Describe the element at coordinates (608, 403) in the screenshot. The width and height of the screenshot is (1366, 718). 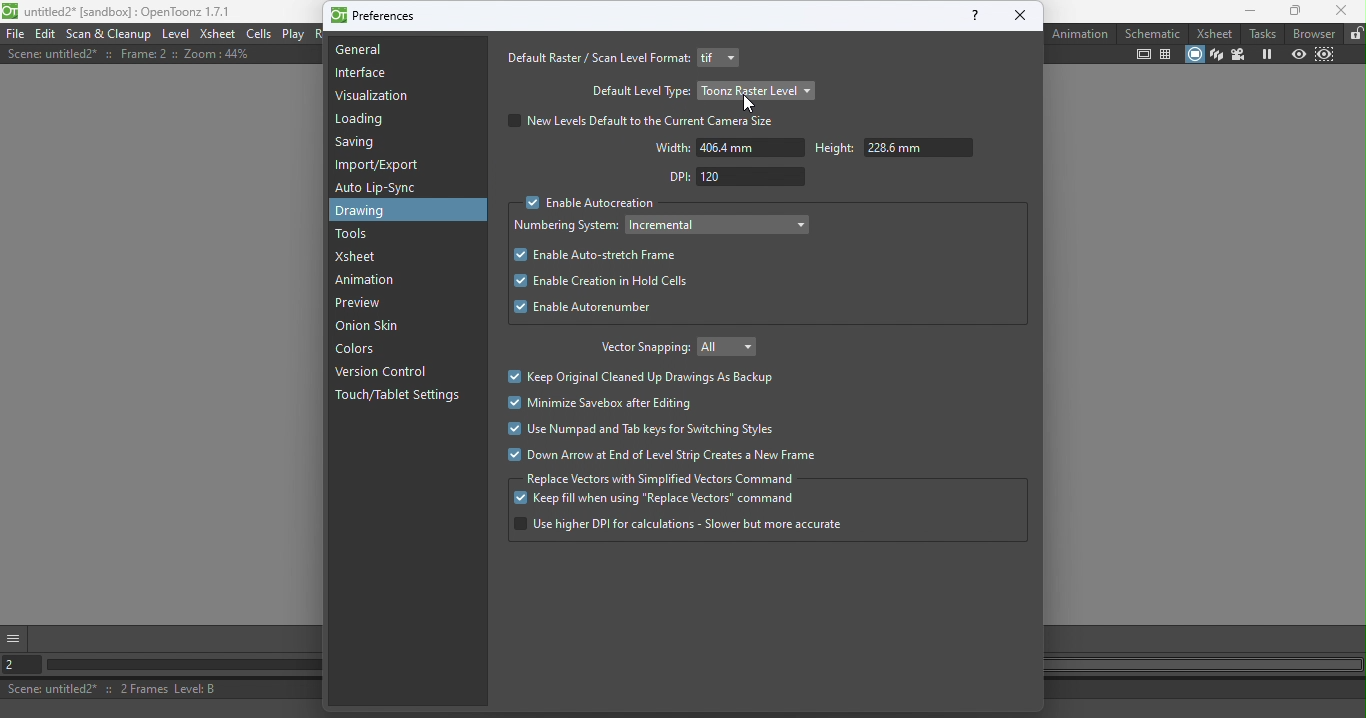
I see `Minimize savebox after editing` at that location.